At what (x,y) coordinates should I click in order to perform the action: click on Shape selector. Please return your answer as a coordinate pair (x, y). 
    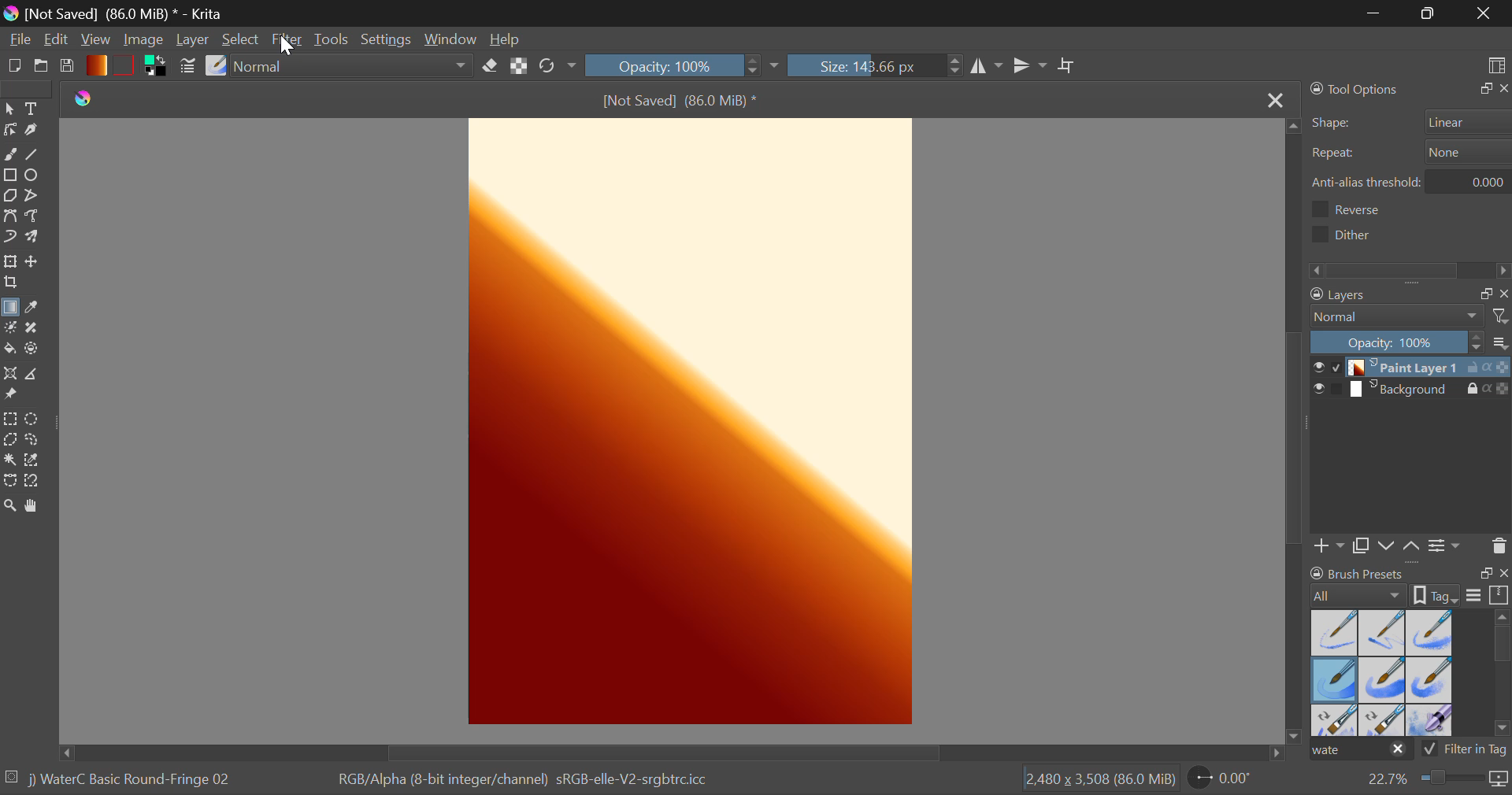
    Looking at the image, I should click on (1469, 121).